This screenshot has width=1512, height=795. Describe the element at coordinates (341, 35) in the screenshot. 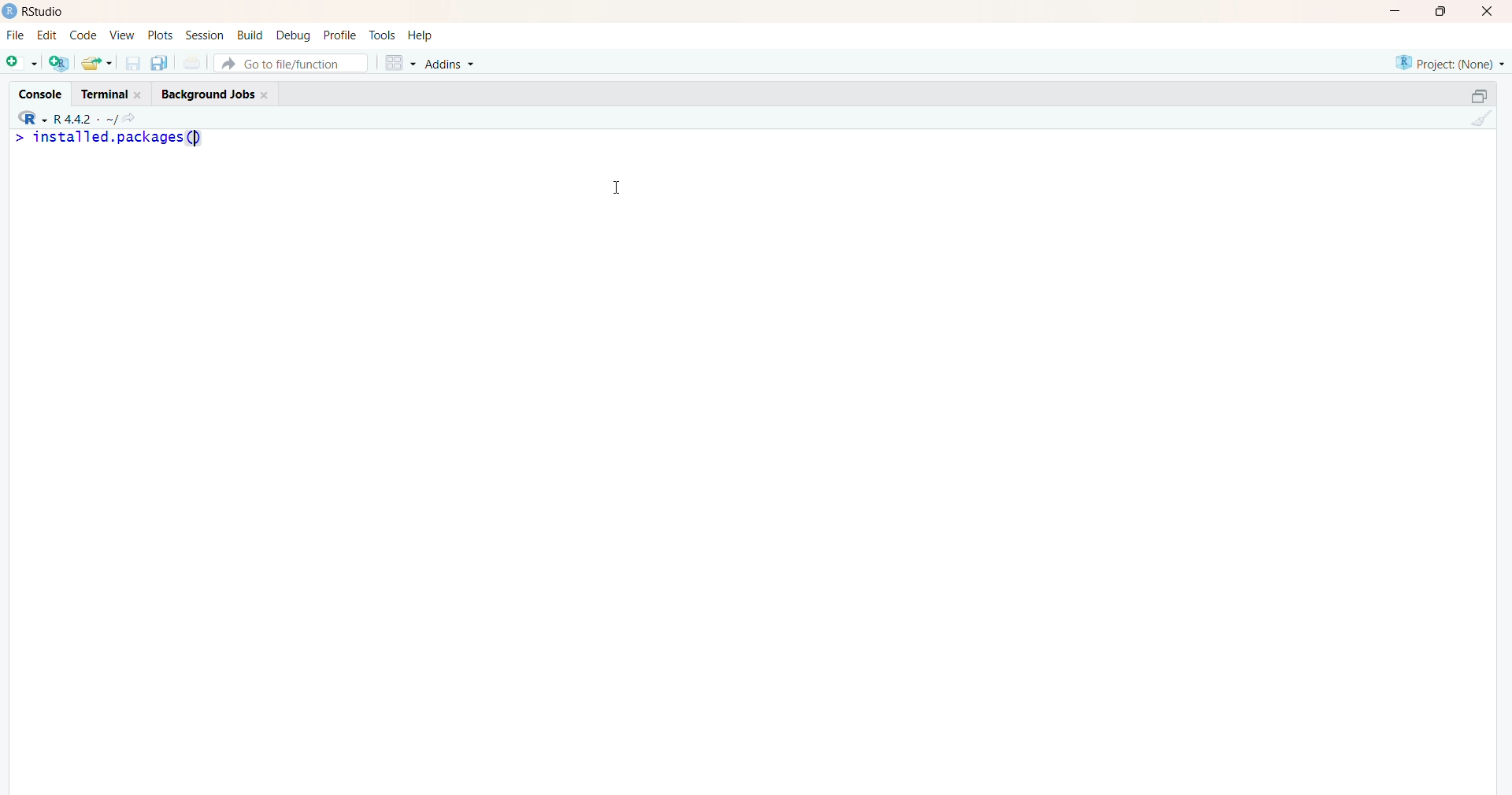

I see `profile` at that location.